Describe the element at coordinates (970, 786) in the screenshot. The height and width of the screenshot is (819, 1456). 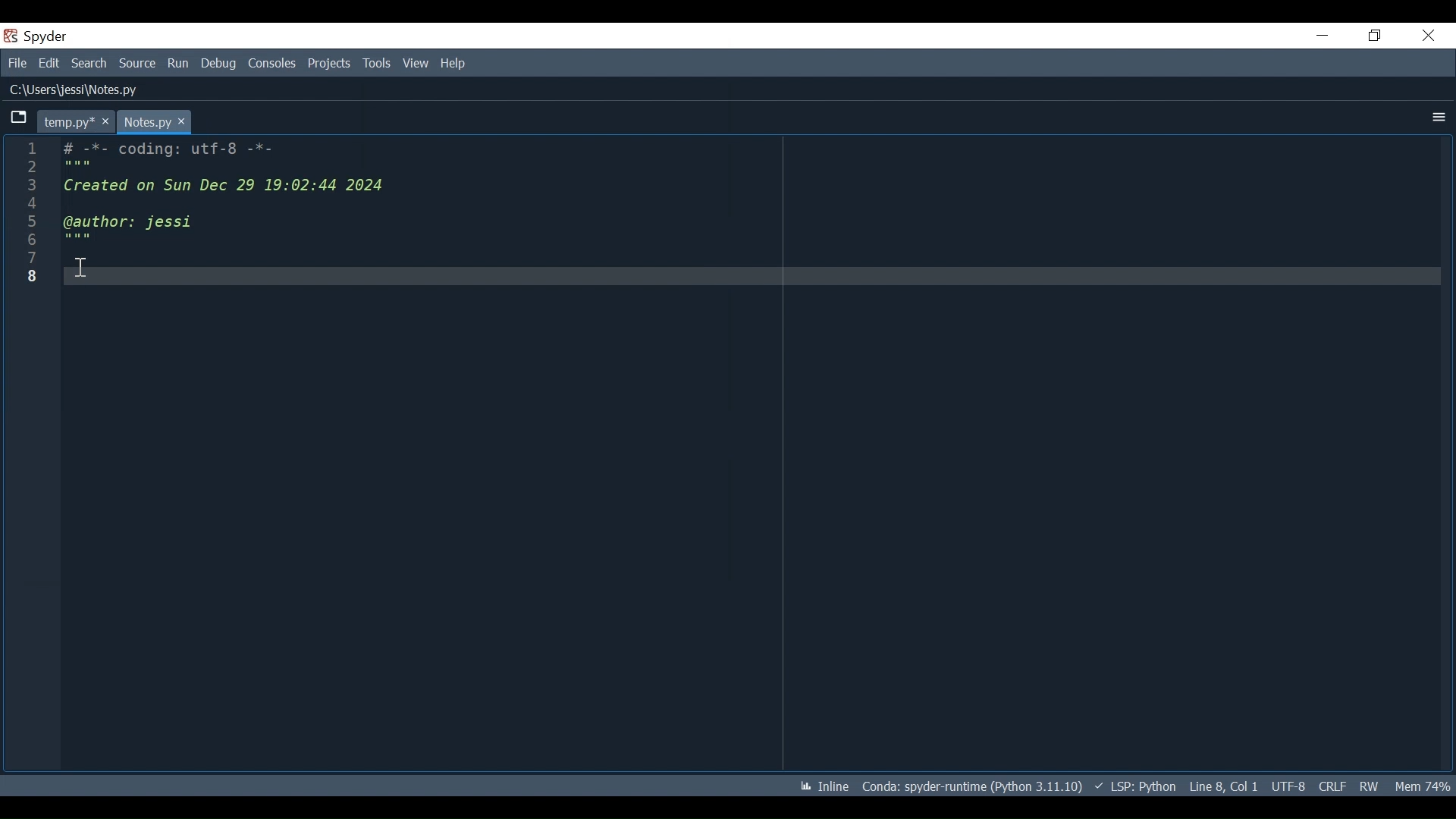
I see `Conda Environment Indicator` at that location.